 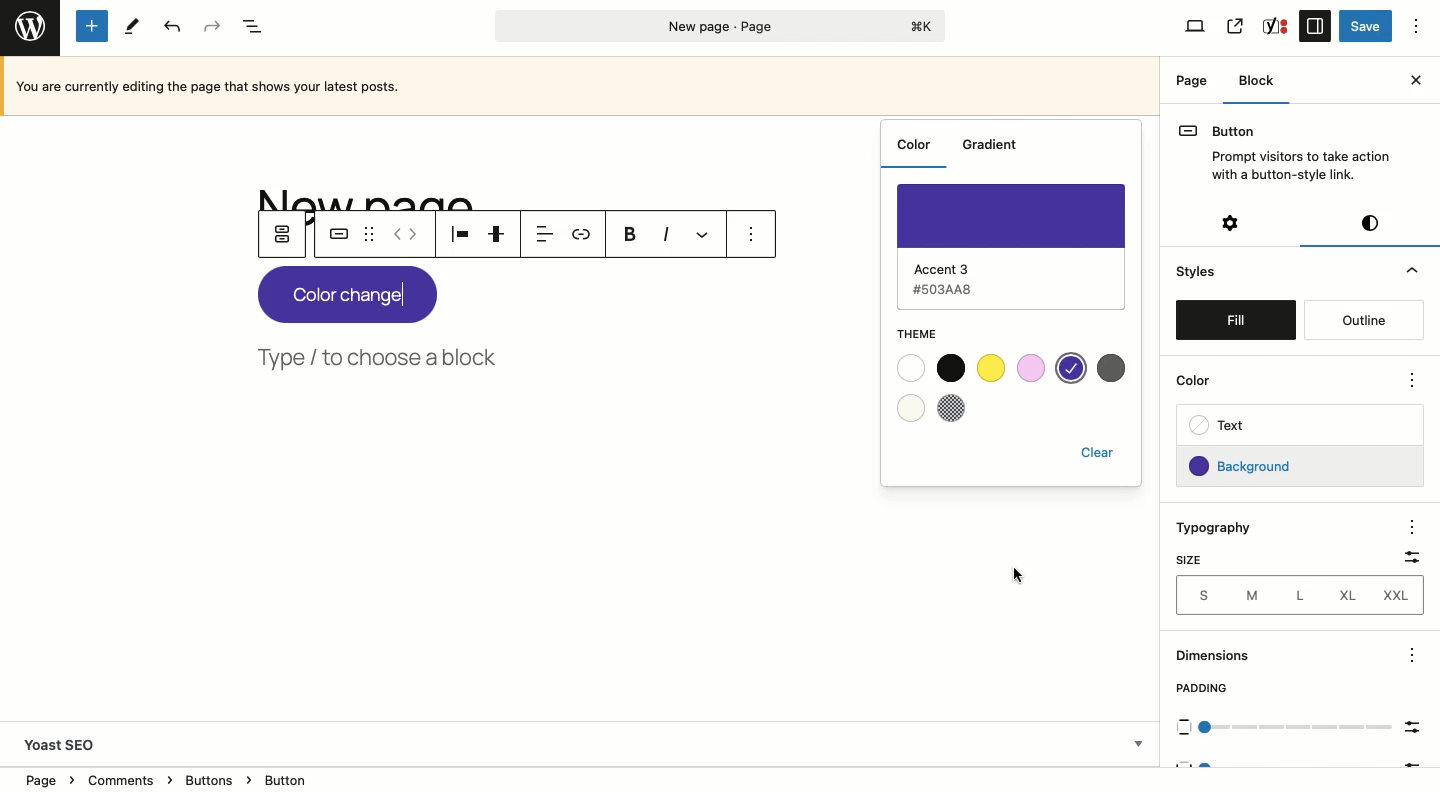 What do you see at coordinates (1401, 592) in the screenshot?
I see `XXL` at bounding box center [1401, 592].